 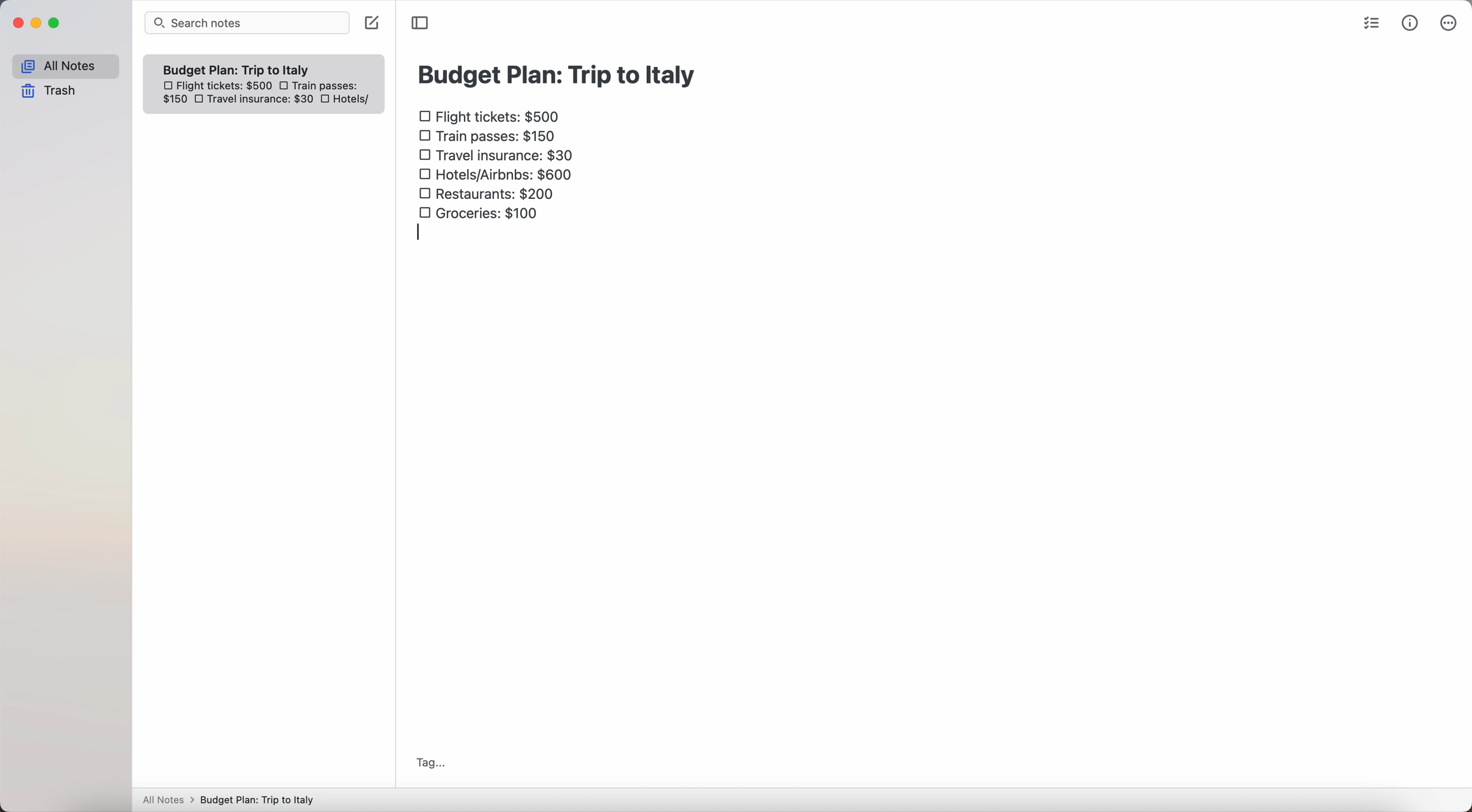 What do you see at coordinates (498, 155) in the screenshot?
I see `travel insurance: $30 checkbox` at bounding box center [498, 155].